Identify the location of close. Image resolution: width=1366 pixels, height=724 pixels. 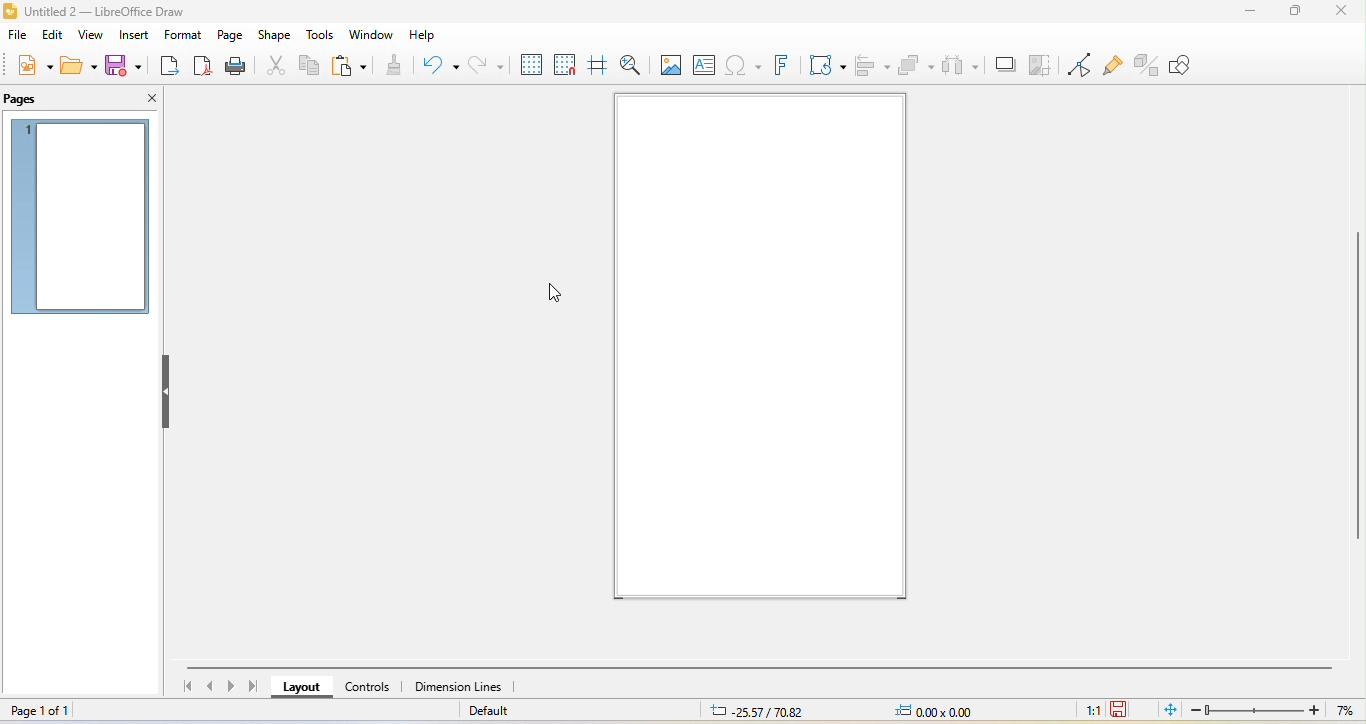
(144, 98).